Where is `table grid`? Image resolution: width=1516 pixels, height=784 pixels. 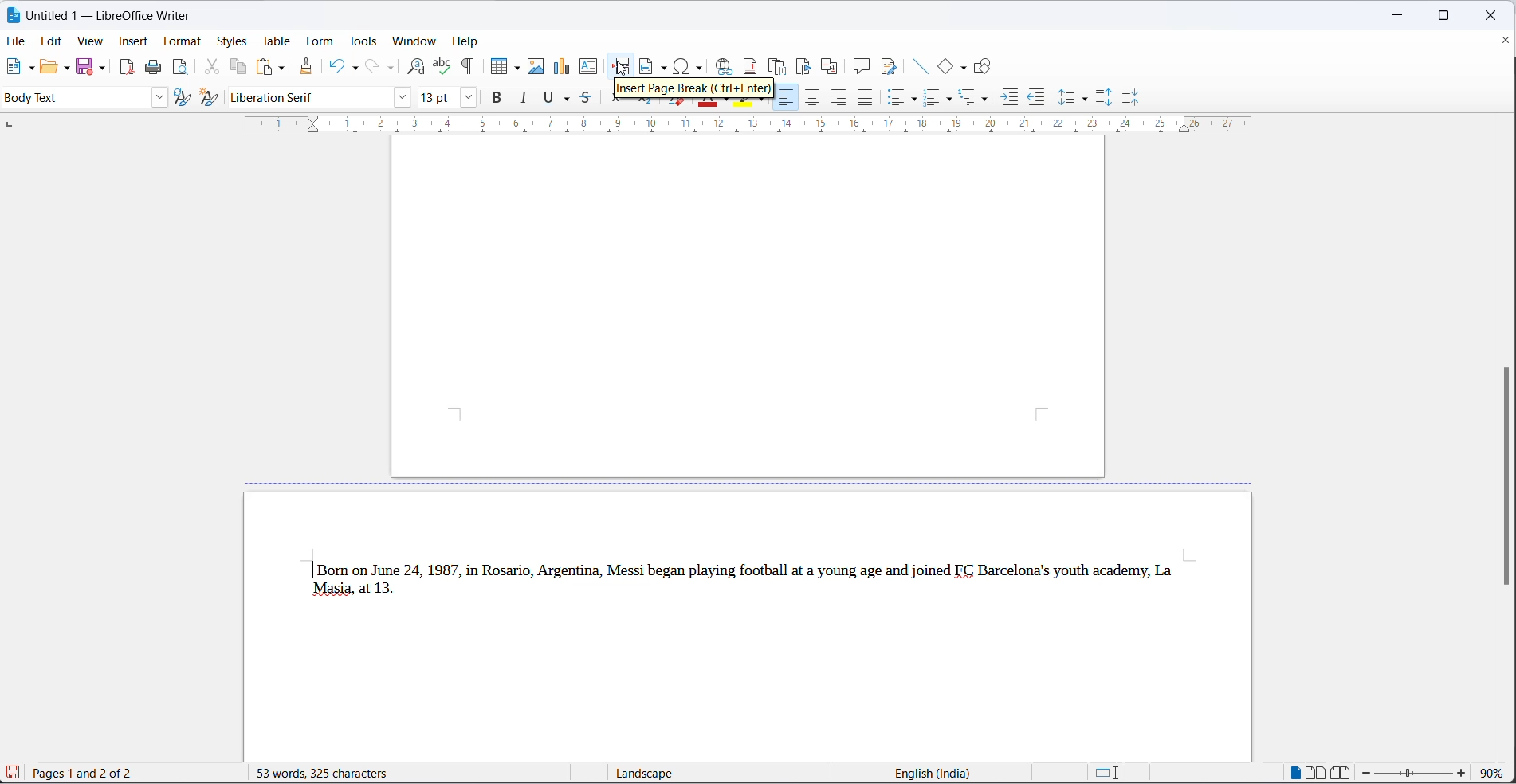
table grid is located at coordinates (520, 69).